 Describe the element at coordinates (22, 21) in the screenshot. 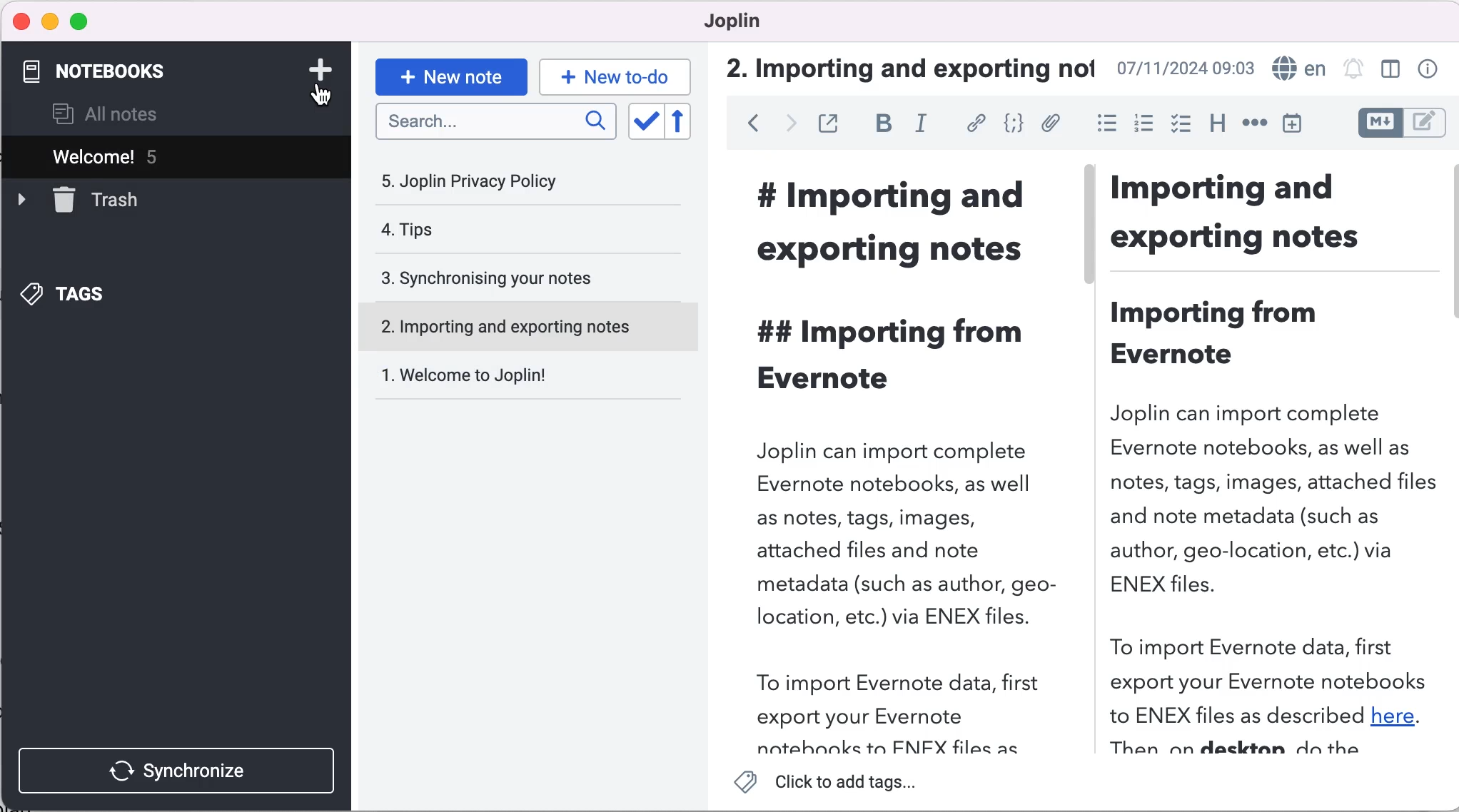

I see `close` at that location.